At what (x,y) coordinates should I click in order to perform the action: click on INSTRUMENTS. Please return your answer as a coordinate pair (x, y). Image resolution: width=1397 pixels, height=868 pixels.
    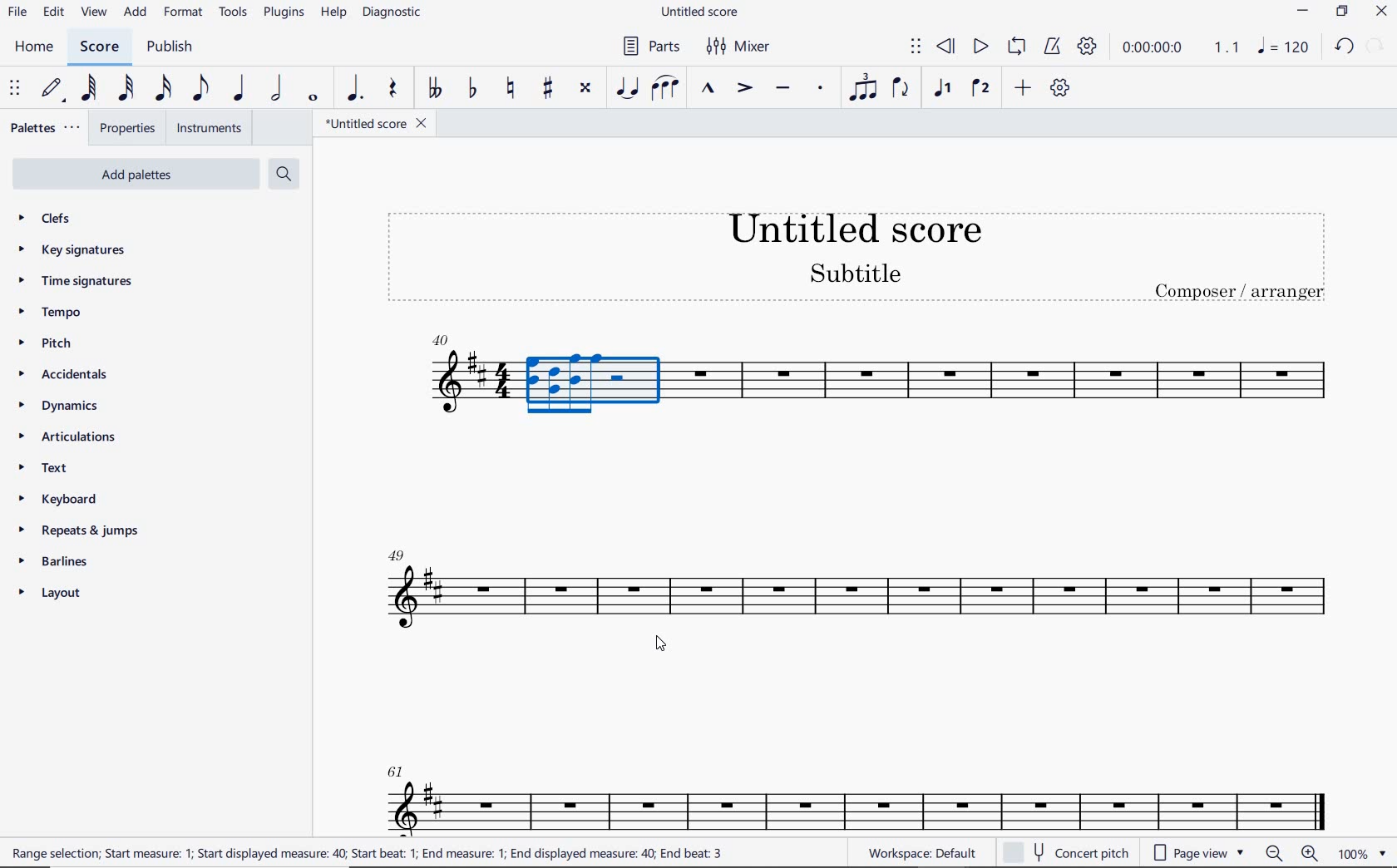
    Looking at the image, I should click on (205, 127).